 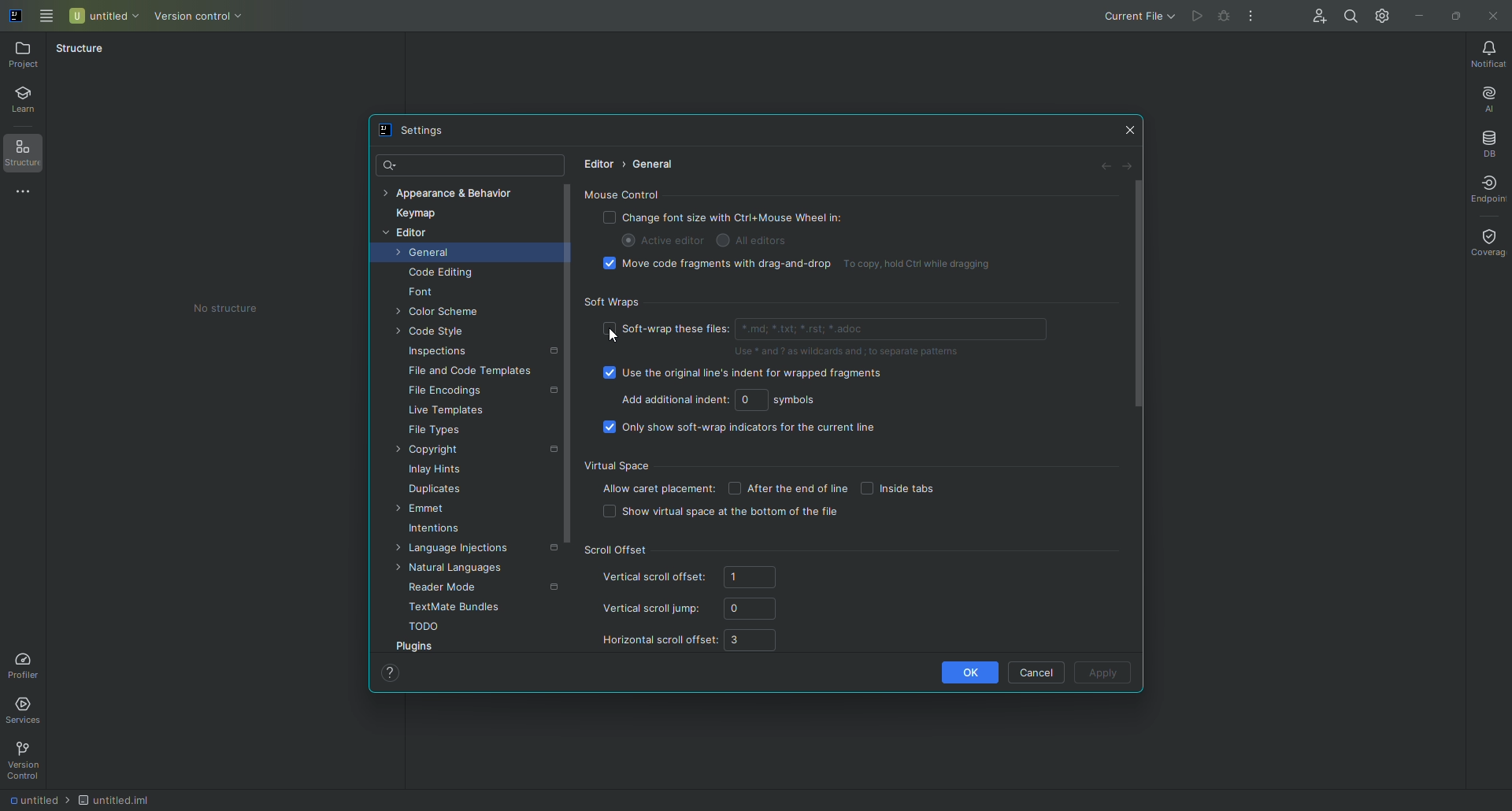 What do you see at coordinates (1488, 141) in the screenshot?
I see `Database` at bounding box center [1488, 141].